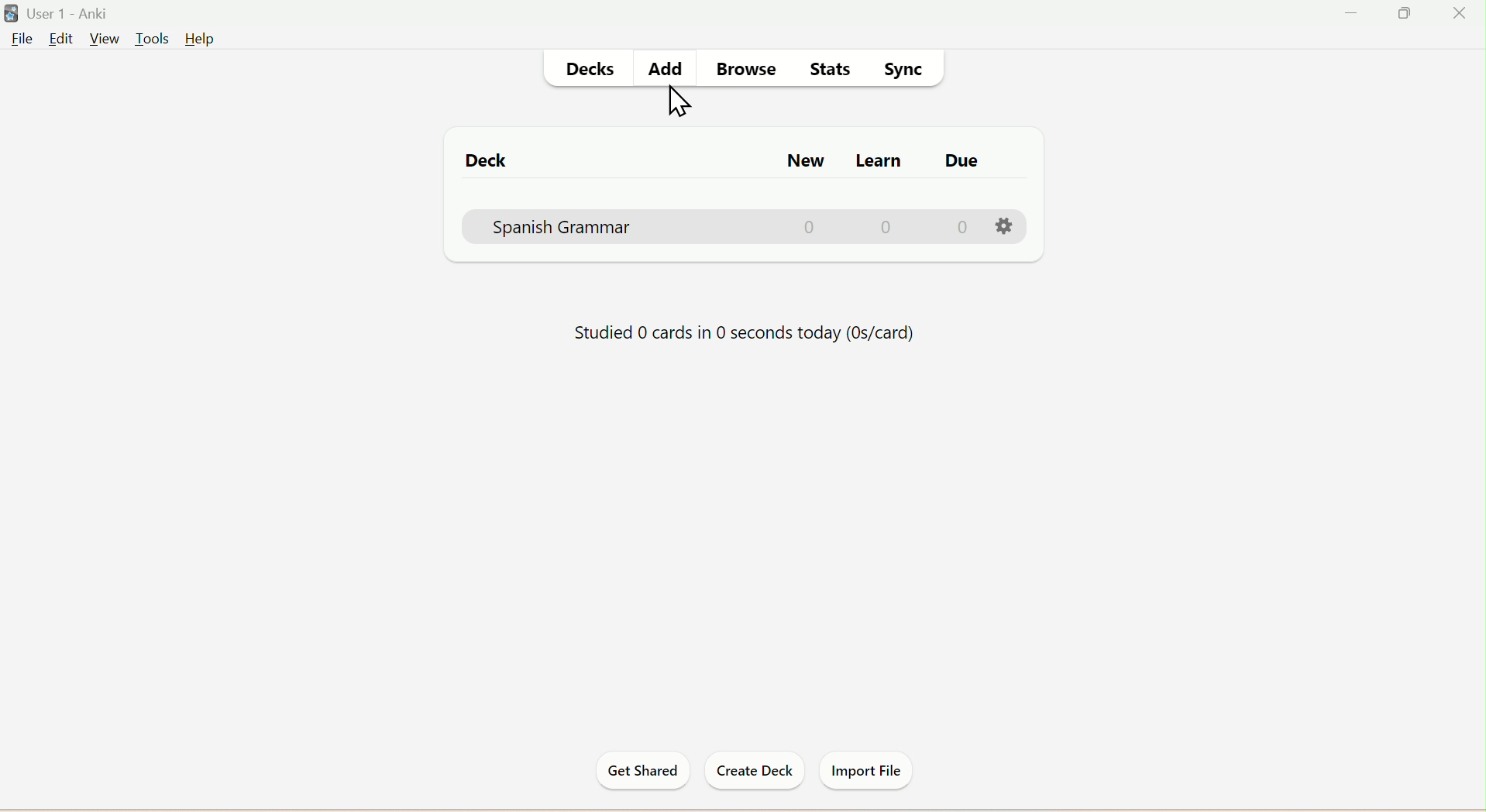  Describe the element at coordinates (805, 157) in the screenshot. I see `New` at that location.